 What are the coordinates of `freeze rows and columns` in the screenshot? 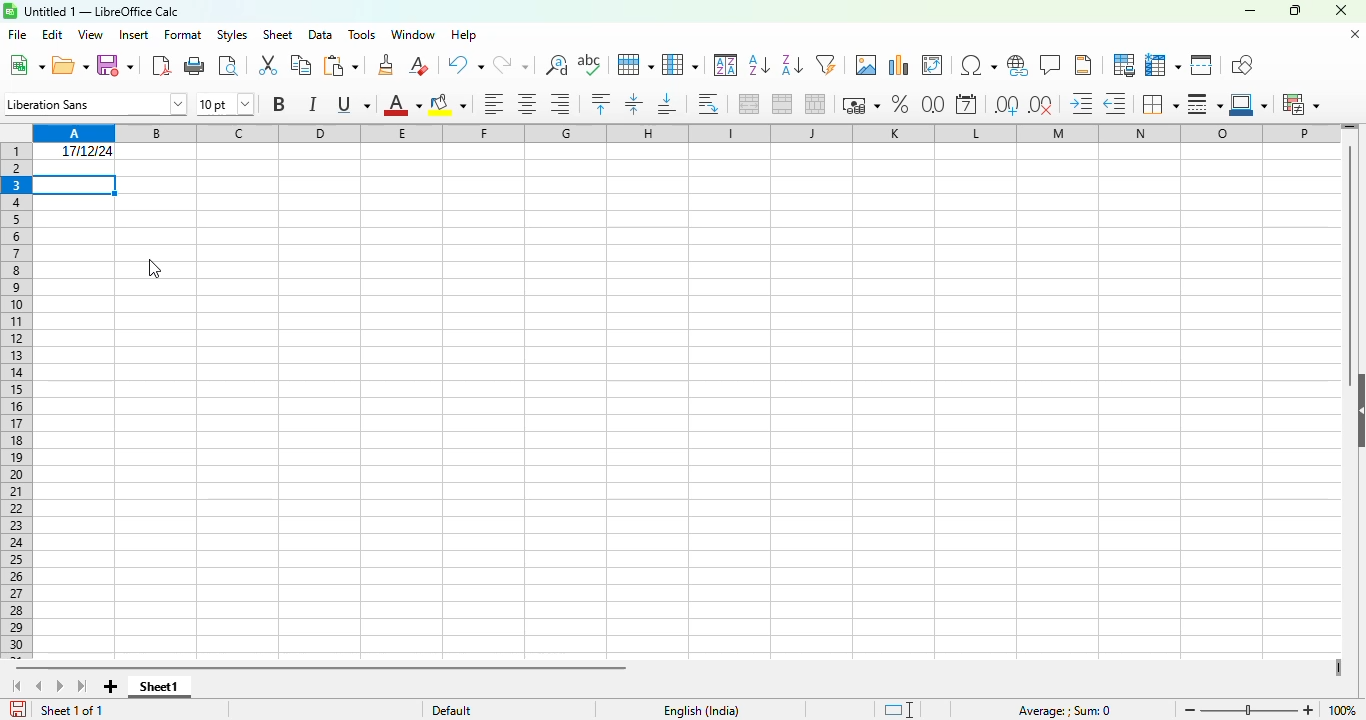 It's located at (1162, 65).